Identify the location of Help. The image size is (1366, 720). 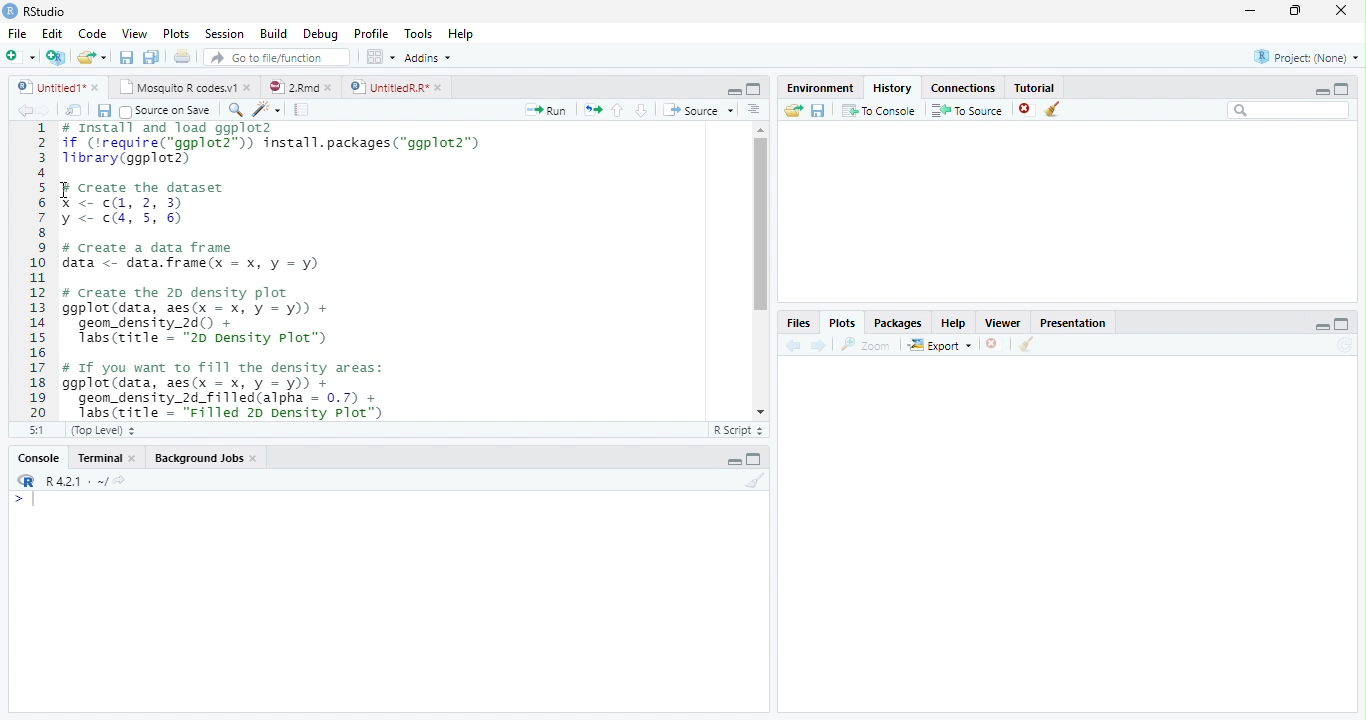
(460, 35).